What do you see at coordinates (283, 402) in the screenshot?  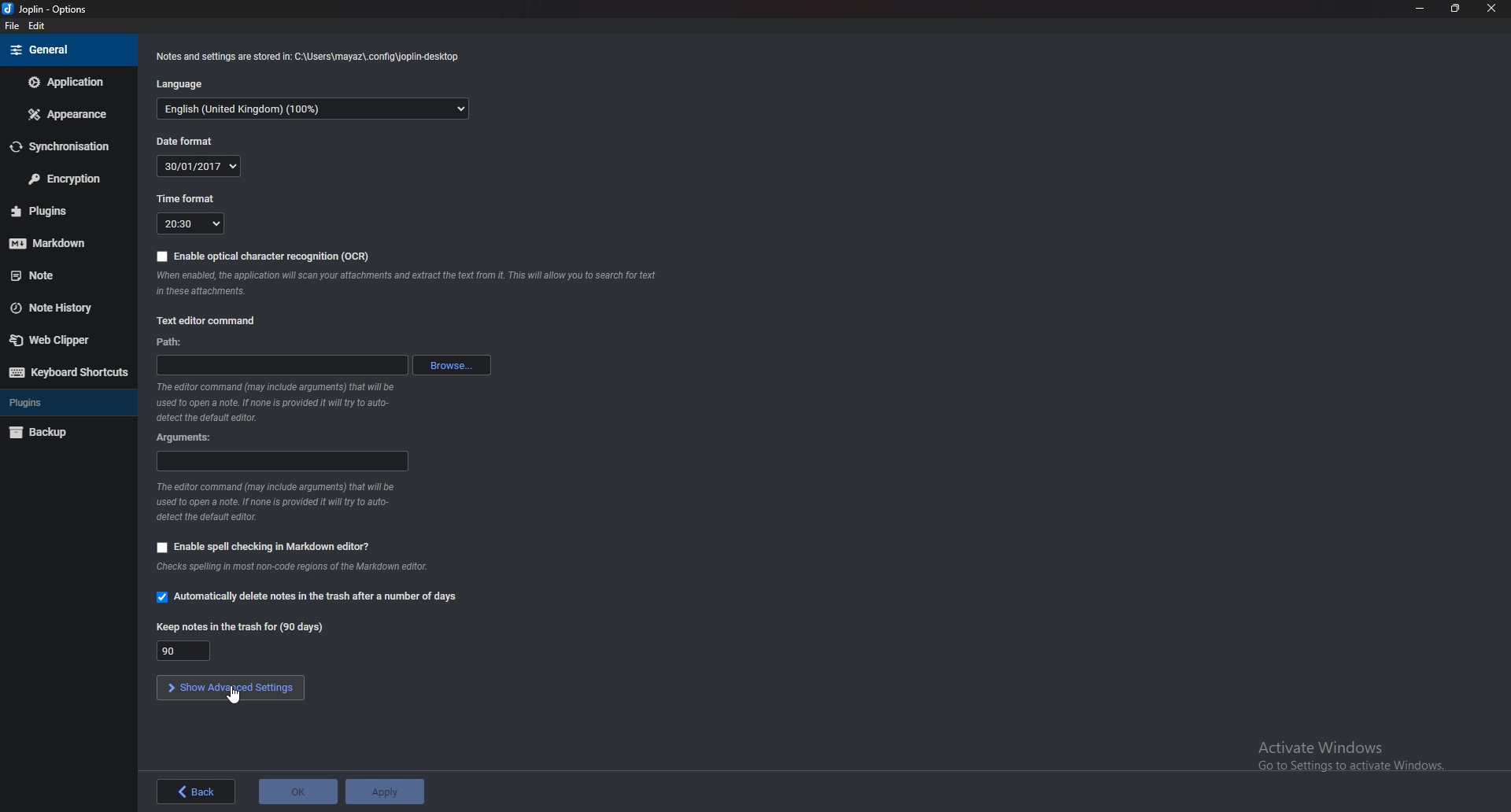 I see `Info` at bounding box center [283, 402].